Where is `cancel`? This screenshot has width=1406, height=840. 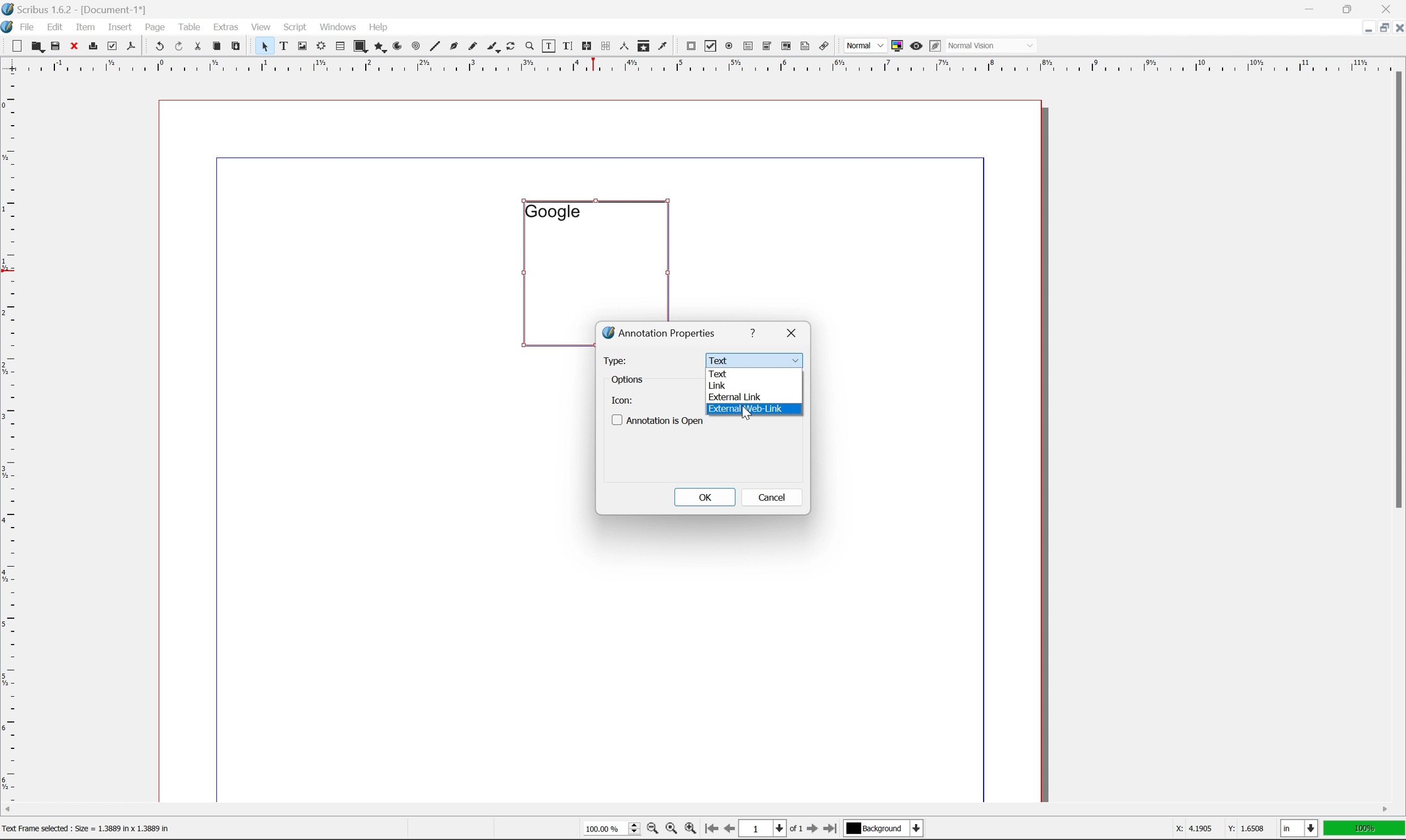 cancel is located at coordinates (772, 499).